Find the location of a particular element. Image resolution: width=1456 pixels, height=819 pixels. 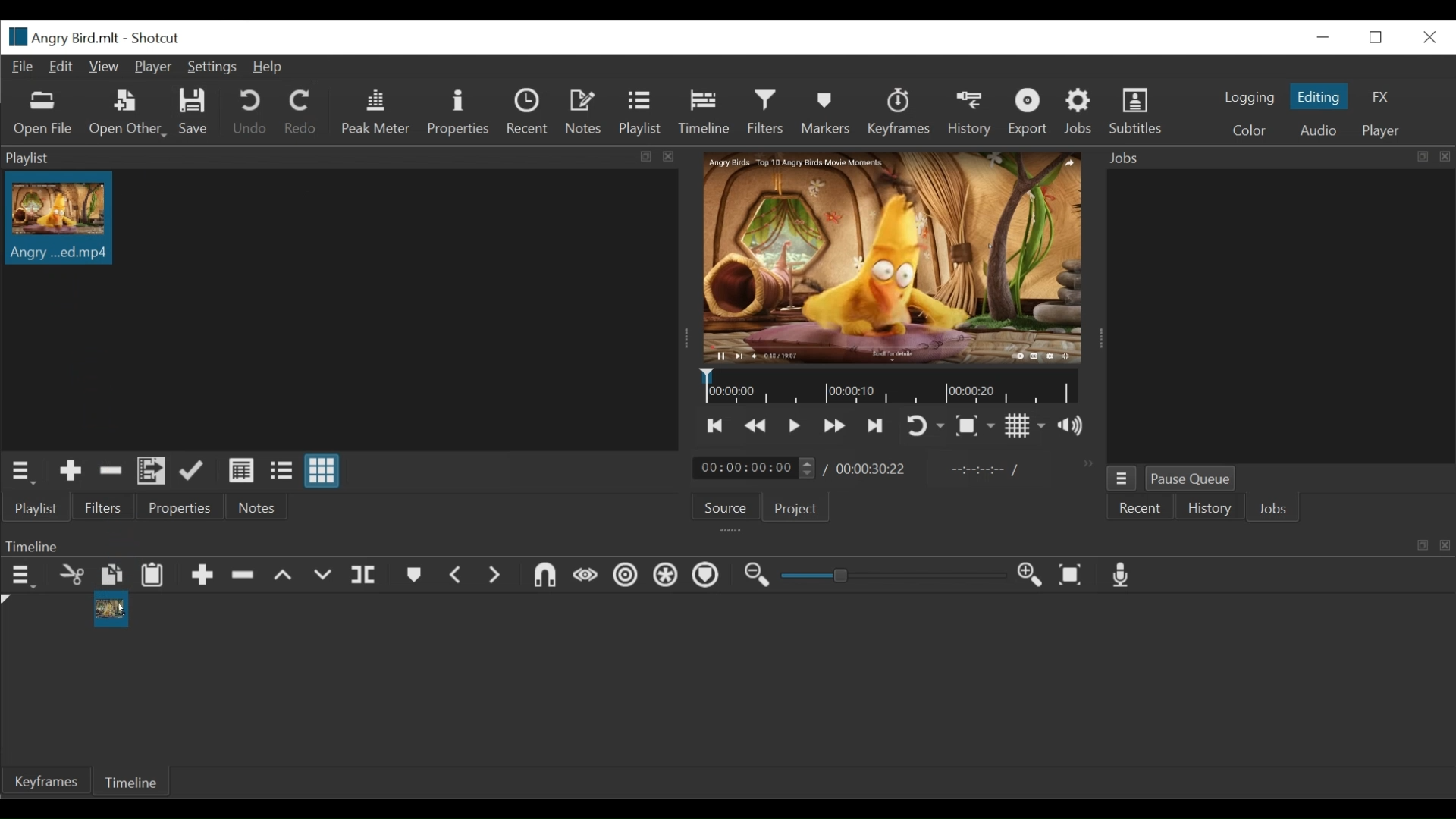

previous marker is located at coordinates (457, 575).